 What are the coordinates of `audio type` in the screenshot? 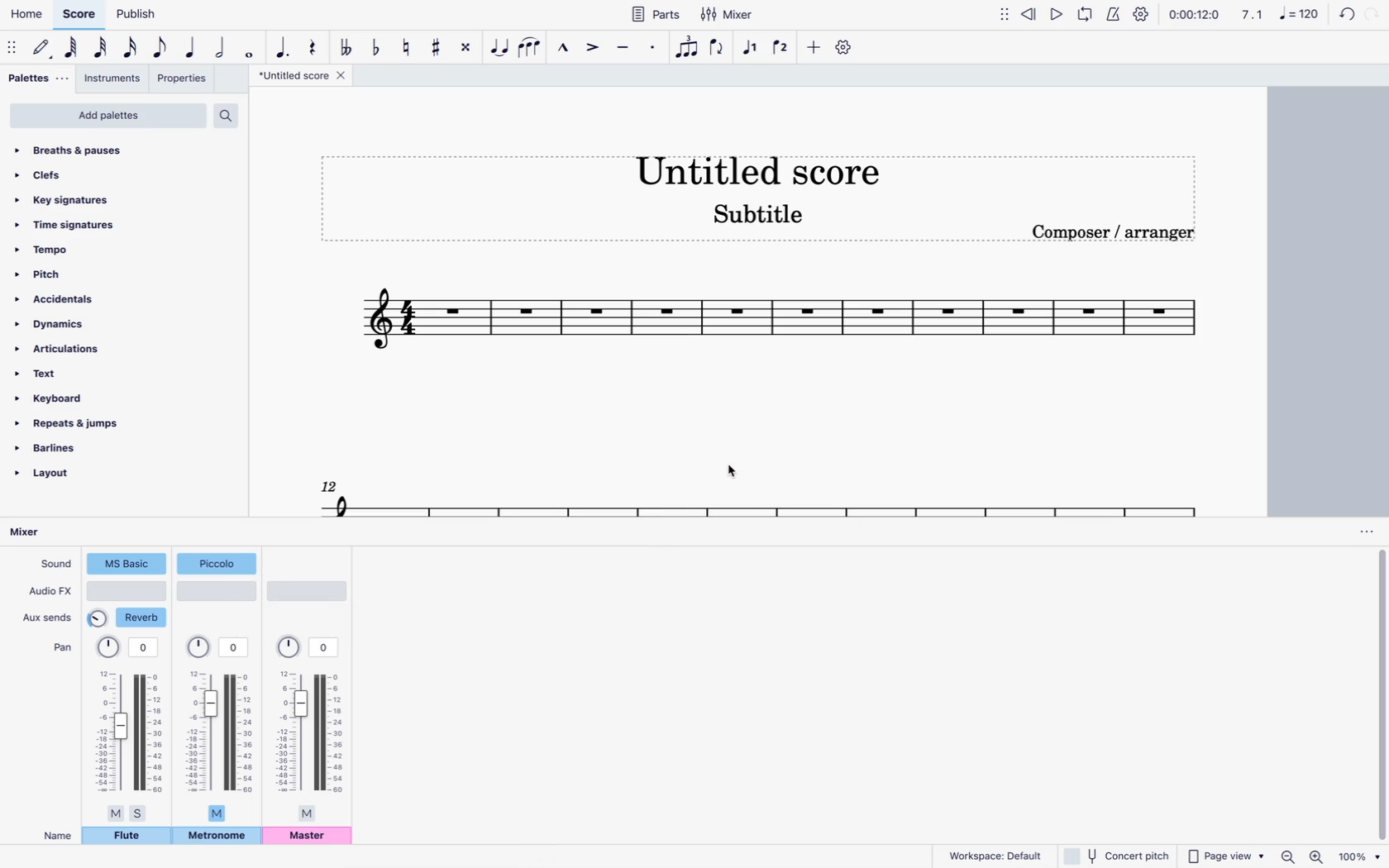 It's located at (128, 591).